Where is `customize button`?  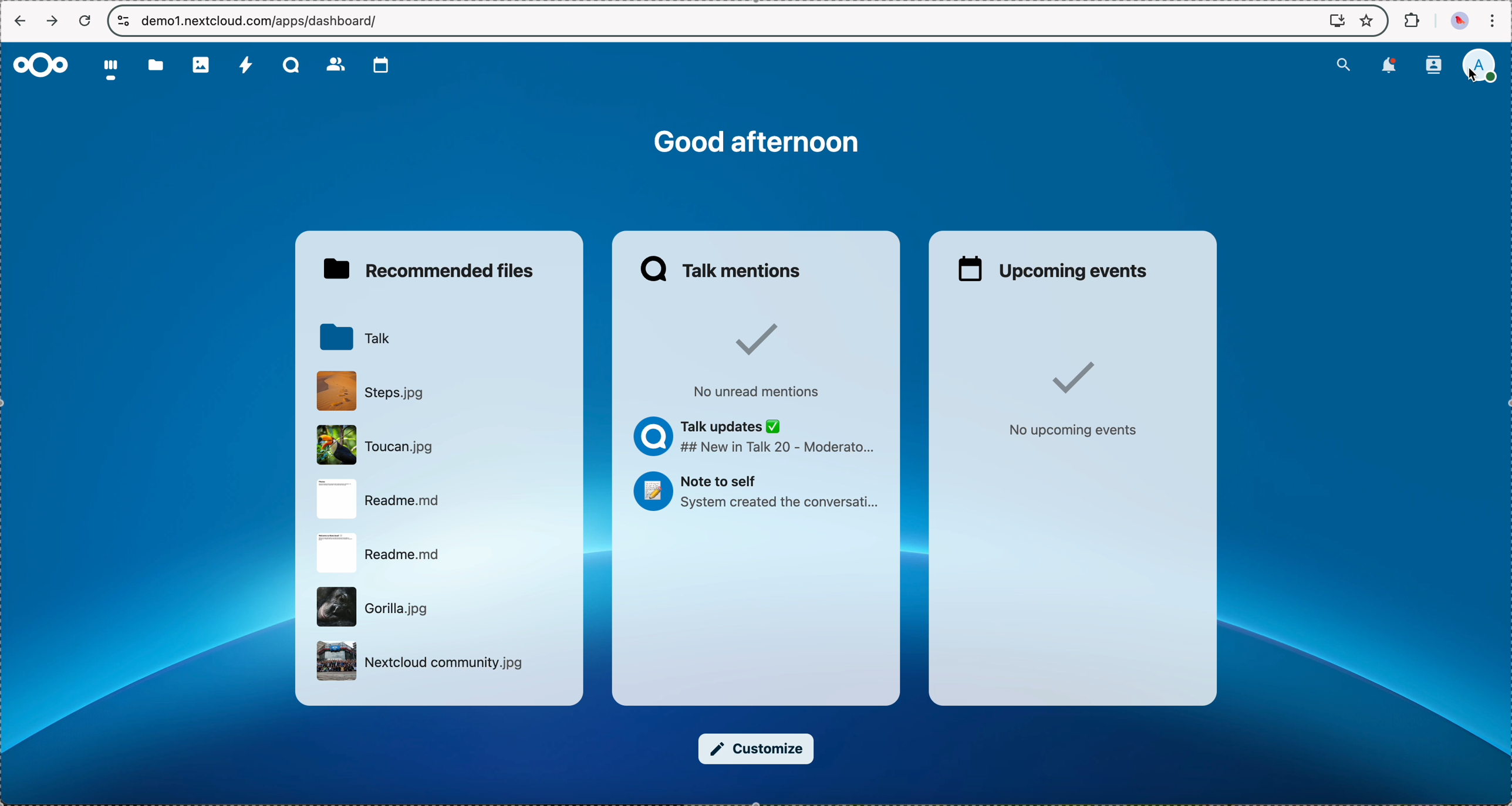 customize button is located at coordinates (756, 749).